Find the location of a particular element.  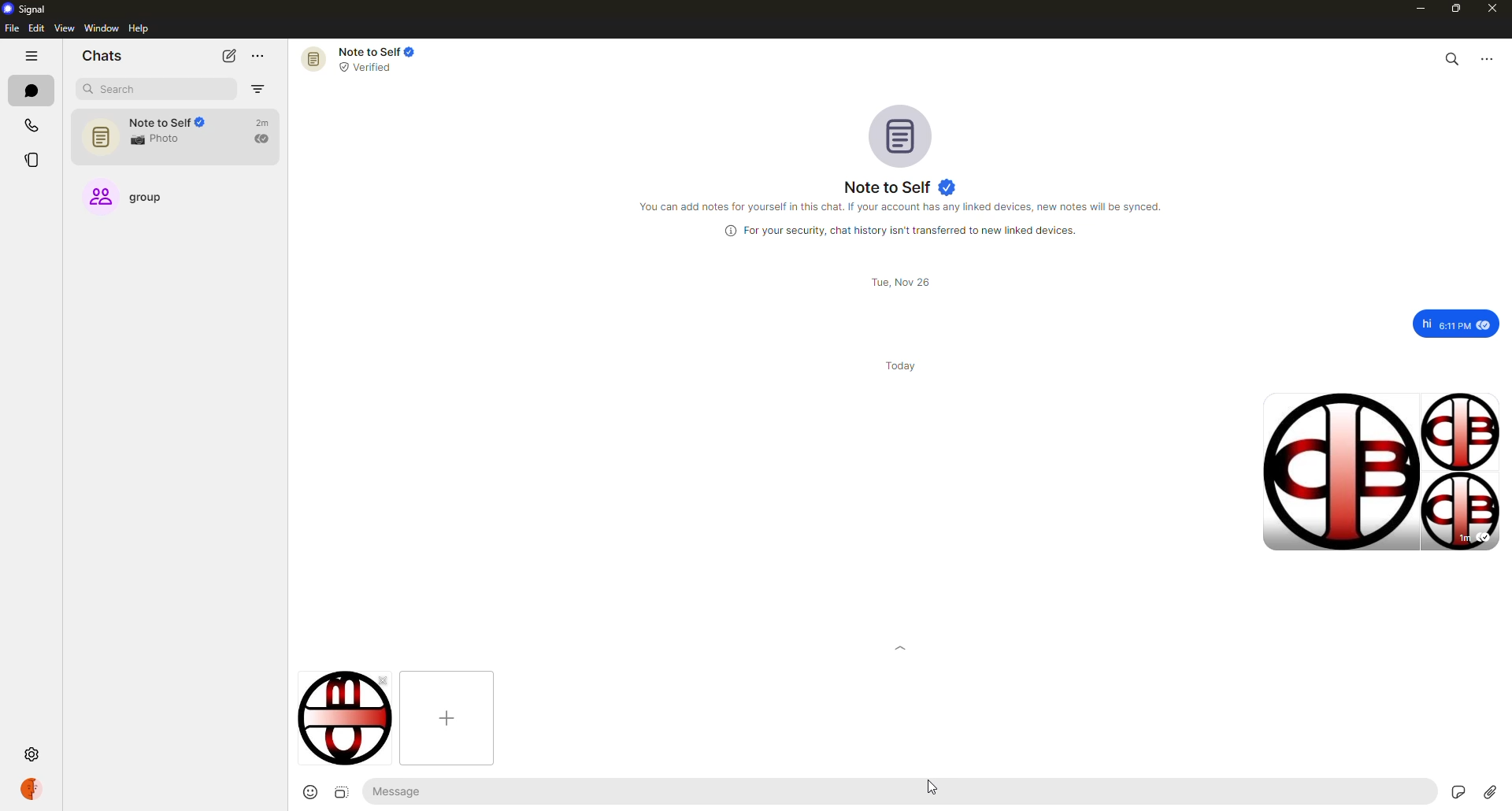

close is located at coordinates (1494, 9).